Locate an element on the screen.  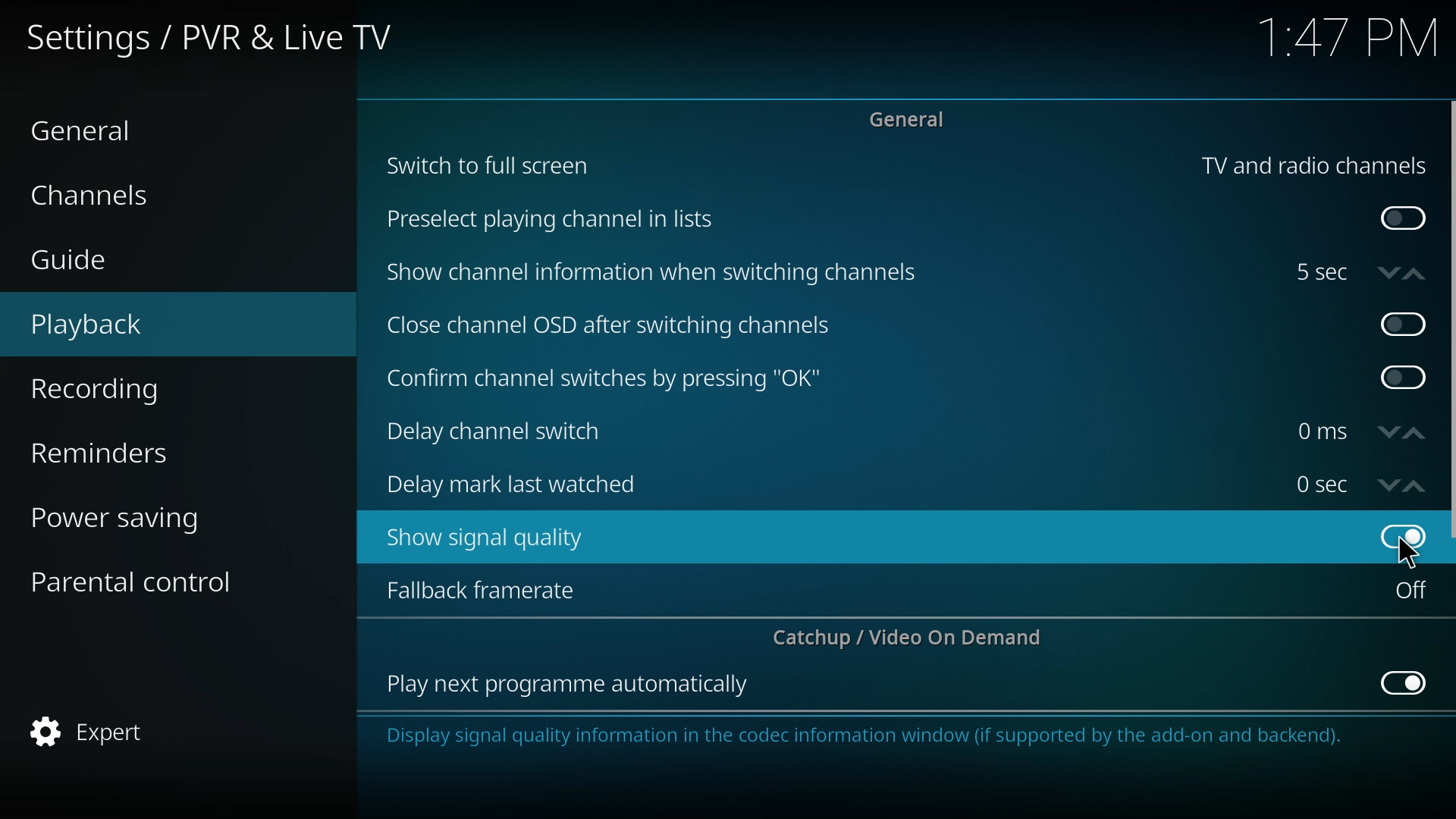
time is located at coordinates (1349, 38).